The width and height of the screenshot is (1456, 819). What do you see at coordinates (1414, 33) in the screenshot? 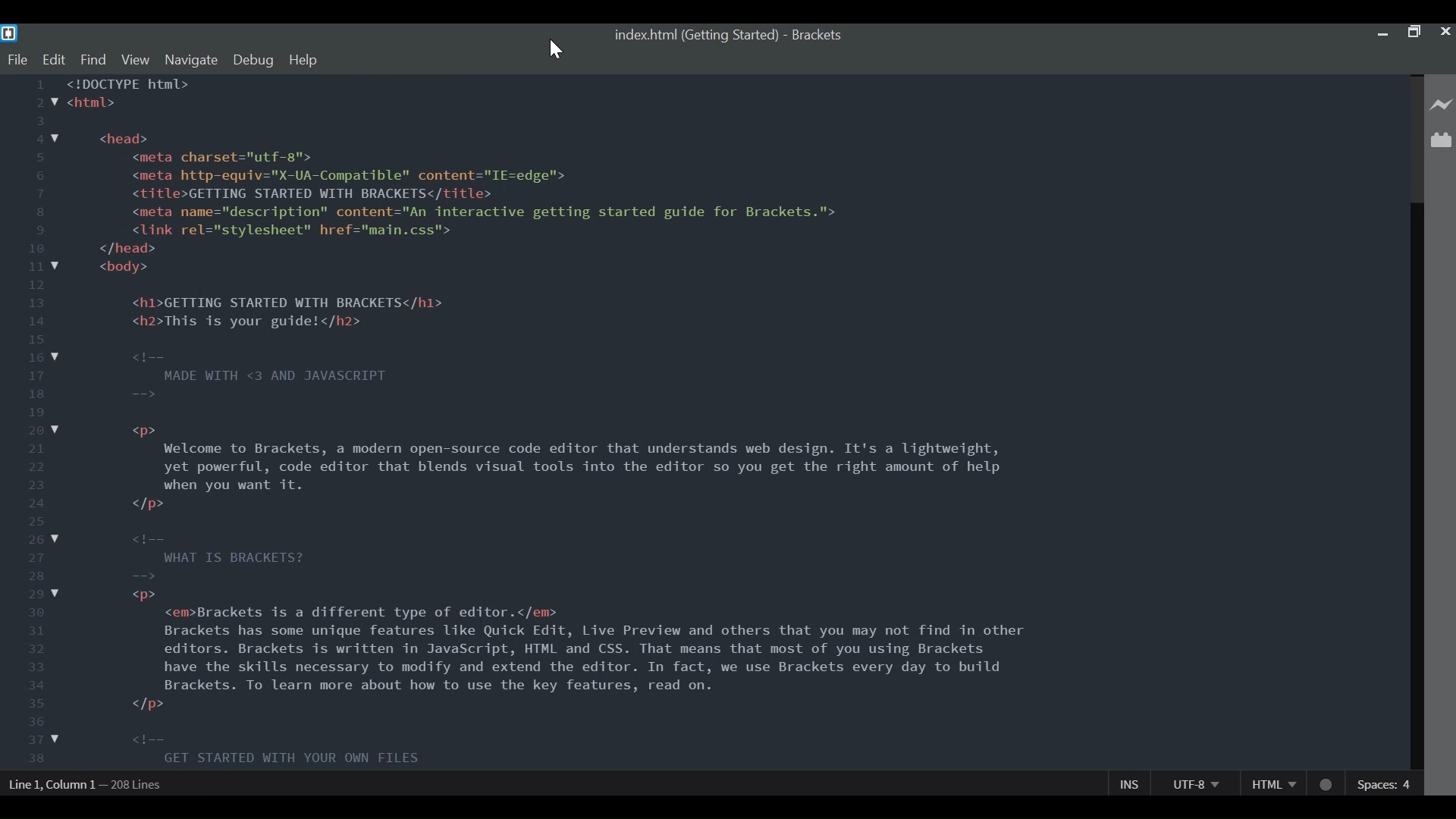
I see `Restore` at bounding box center [1414, 33].